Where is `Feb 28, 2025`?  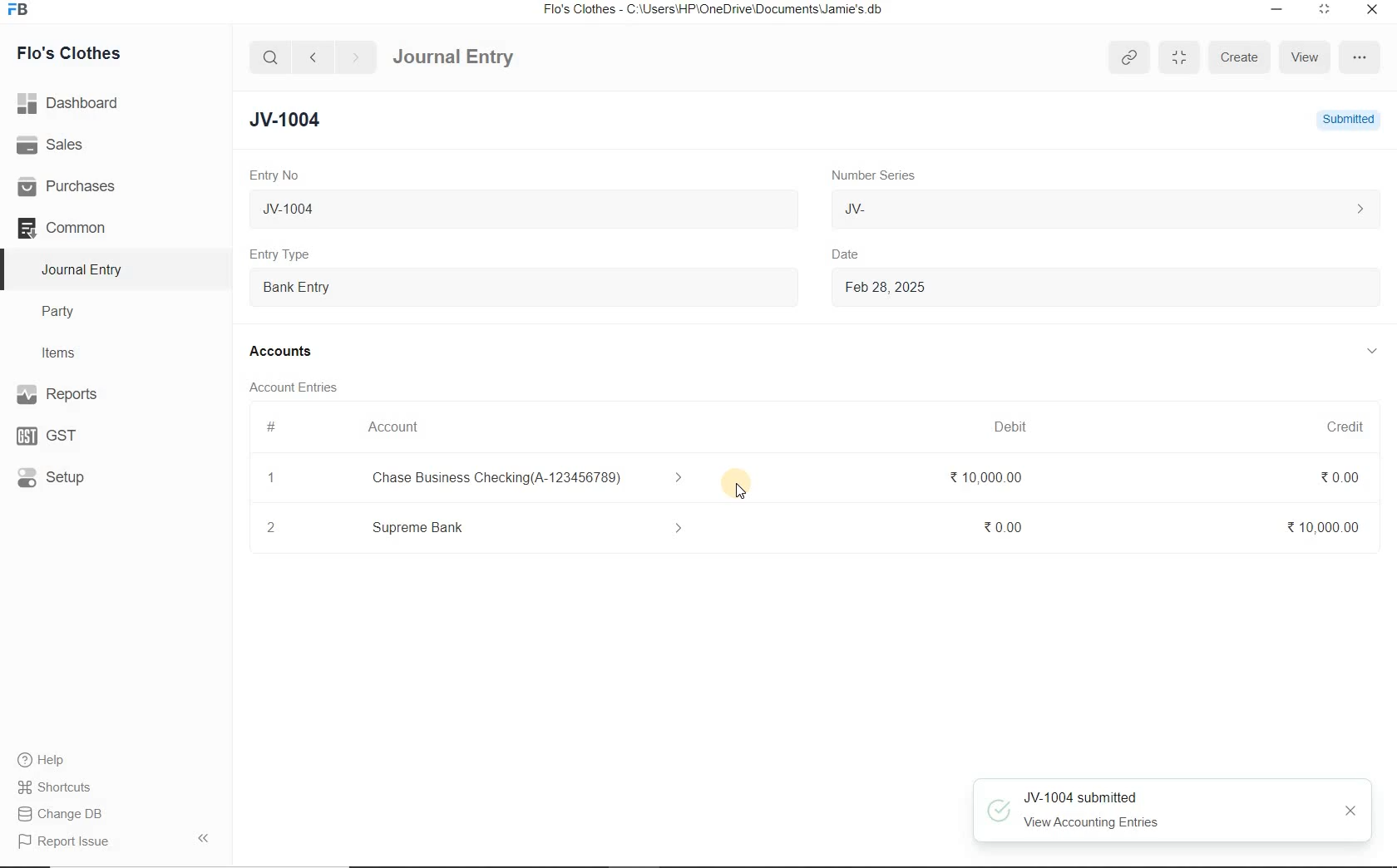
Feb 28, 2025 is located at coordinates (1097, 288).